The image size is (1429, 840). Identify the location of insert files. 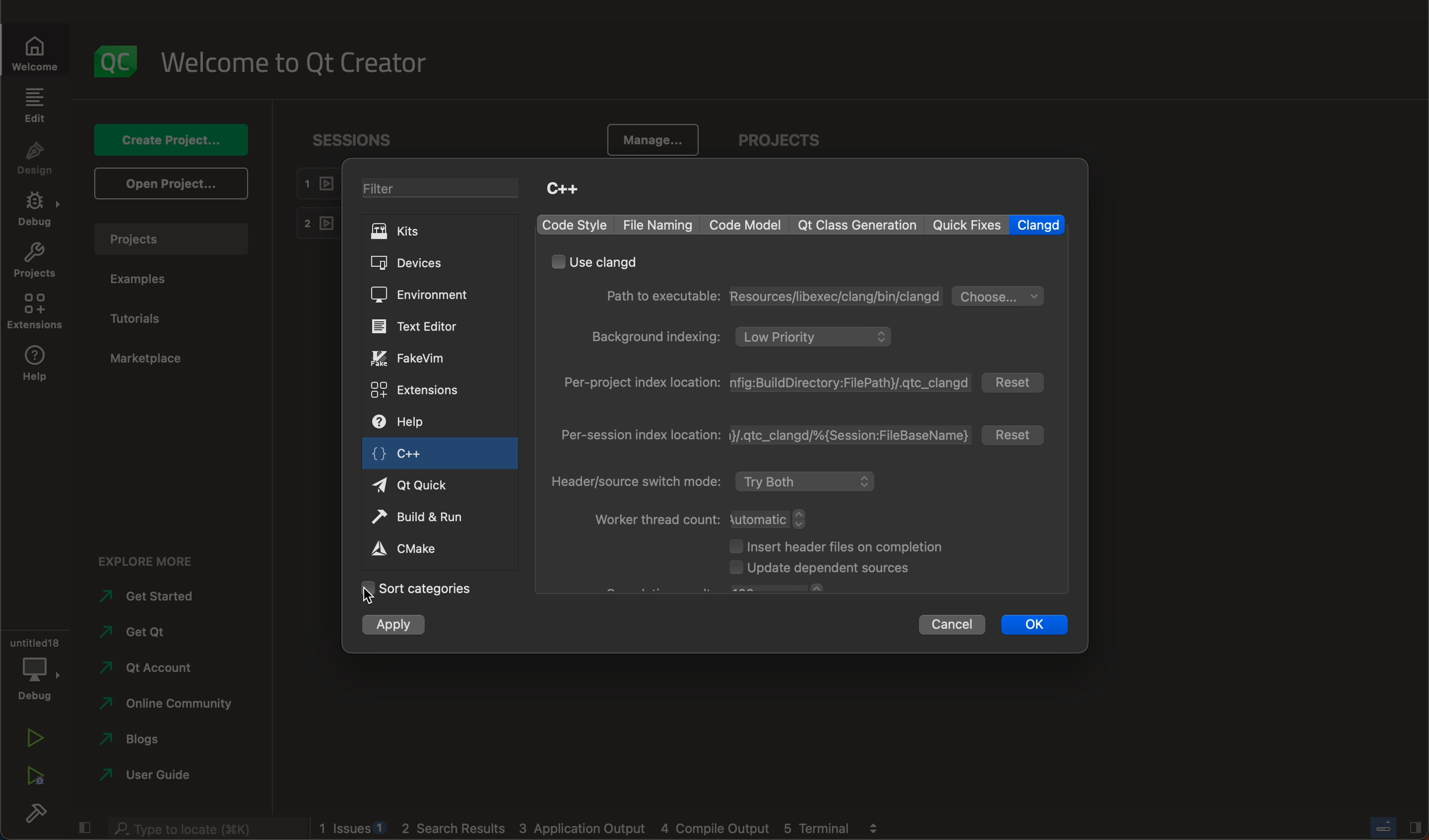
(841, 545).